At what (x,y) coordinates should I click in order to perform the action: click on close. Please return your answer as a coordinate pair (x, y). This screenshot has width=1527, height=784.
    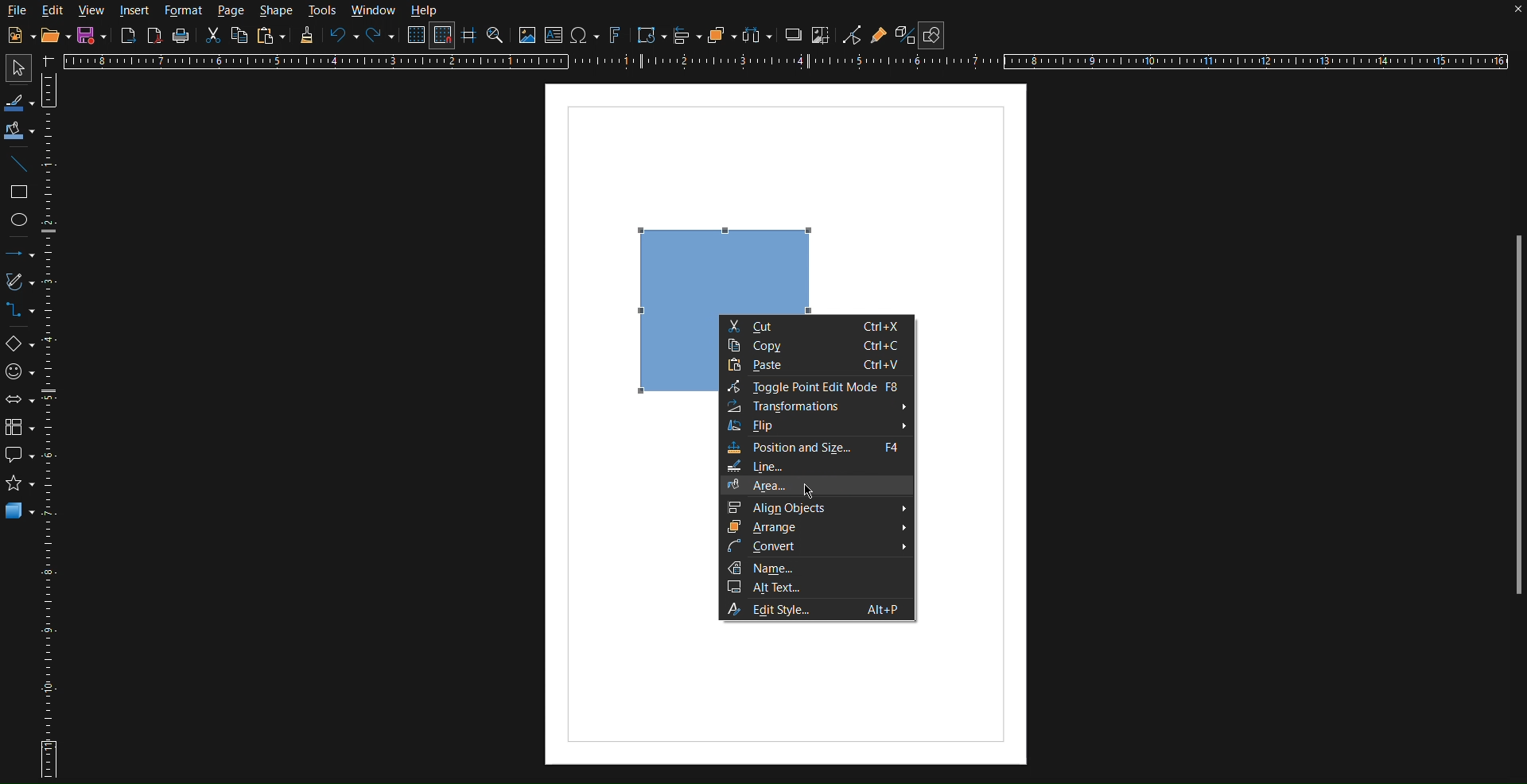
    Looking at the image, I should click on (1502, 14).